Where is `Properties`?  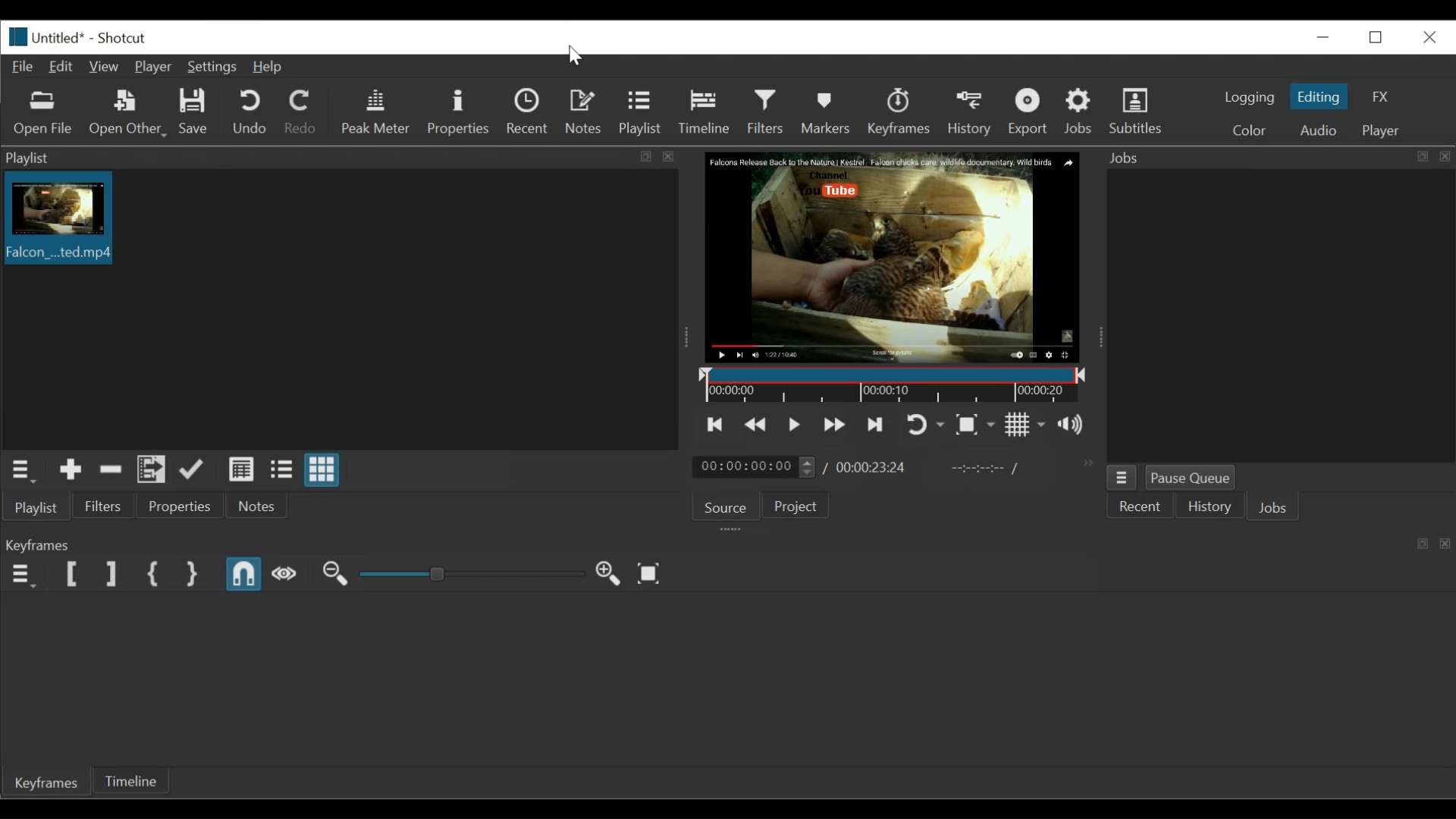
Properties is located at coordinates (458, 112).